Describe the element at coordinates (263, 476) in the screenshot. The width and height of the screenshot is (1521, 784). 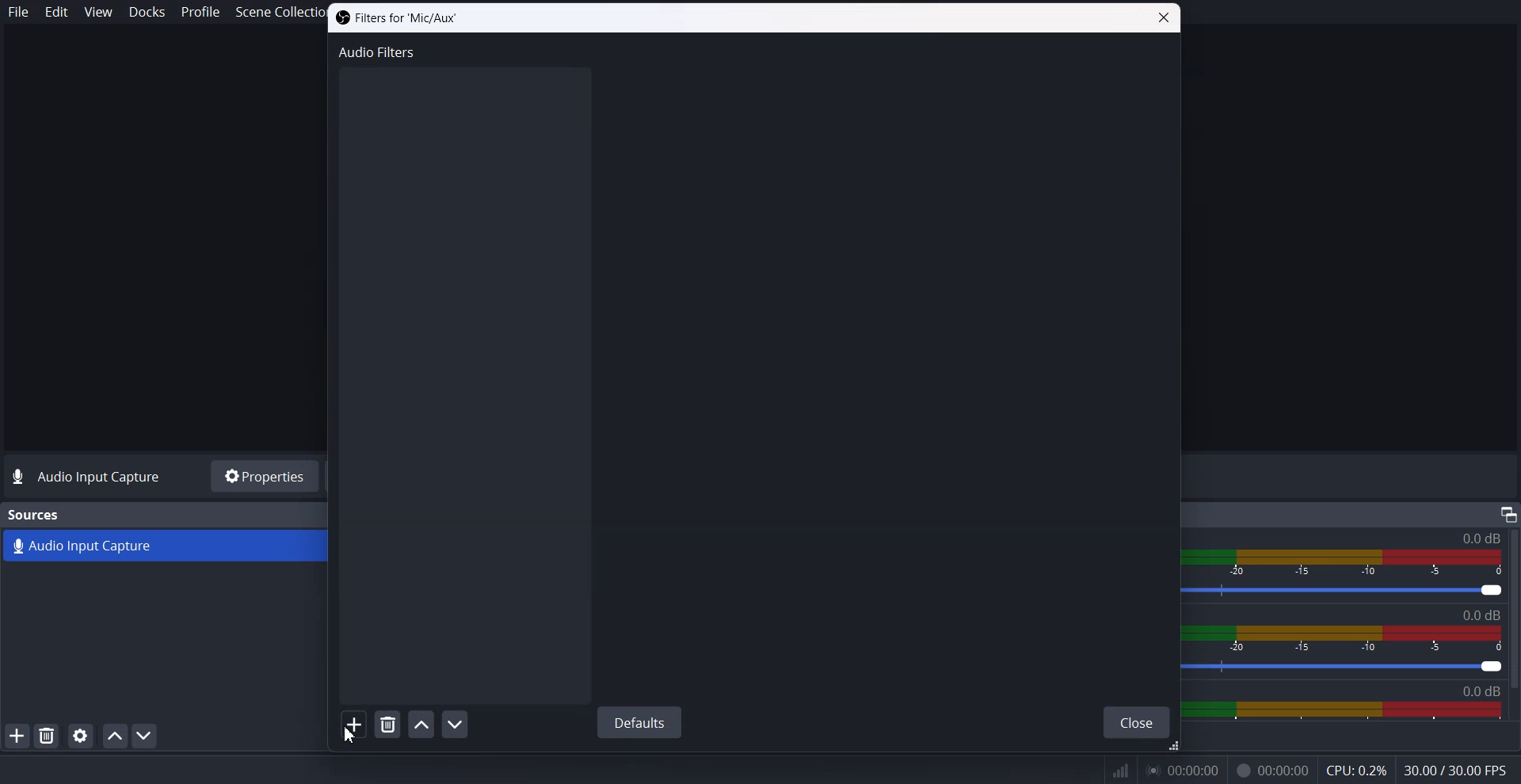
I see `Properties` at that location.